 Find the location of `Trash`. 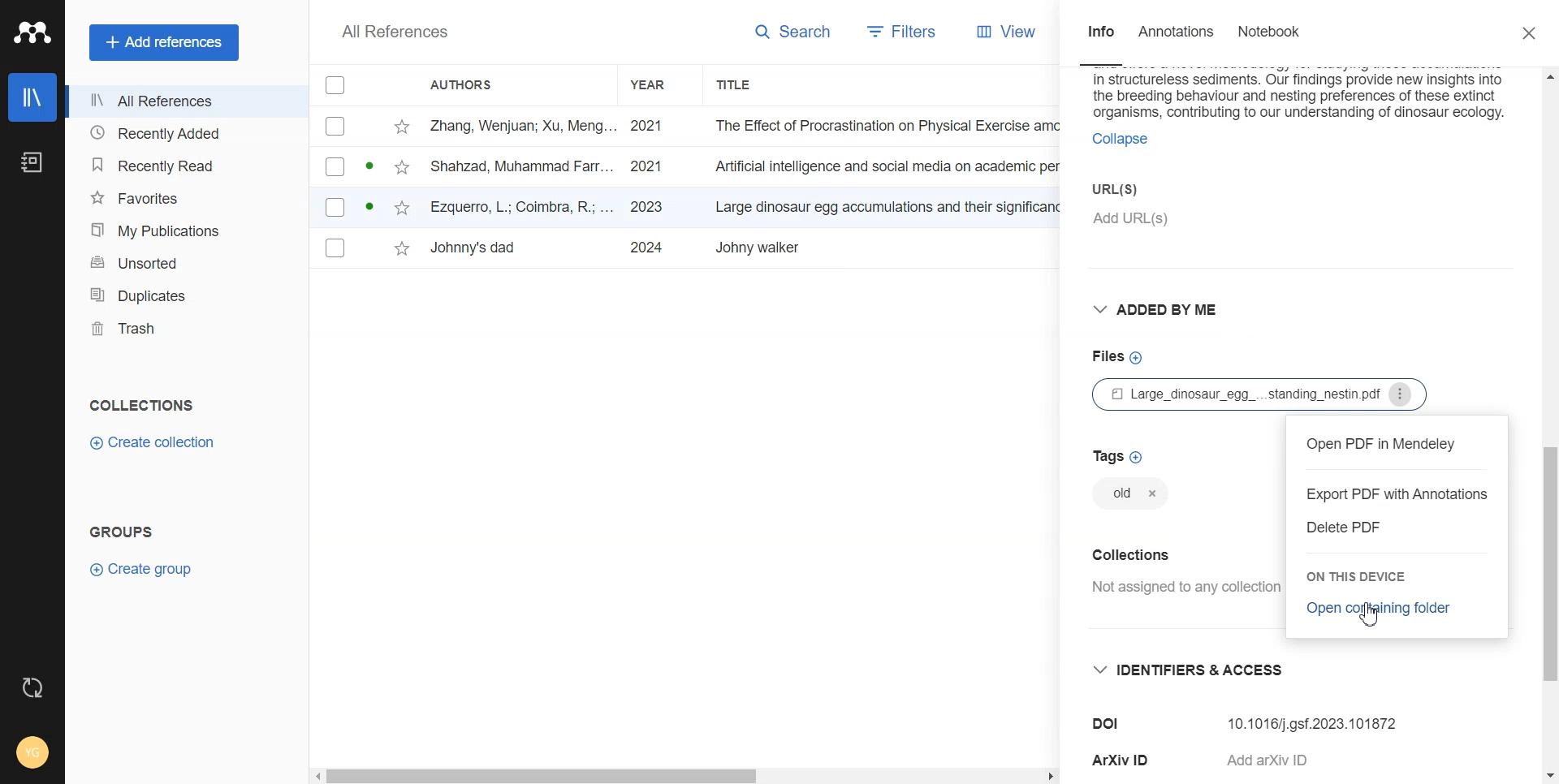

Trash is located at coordinates (179, 325).